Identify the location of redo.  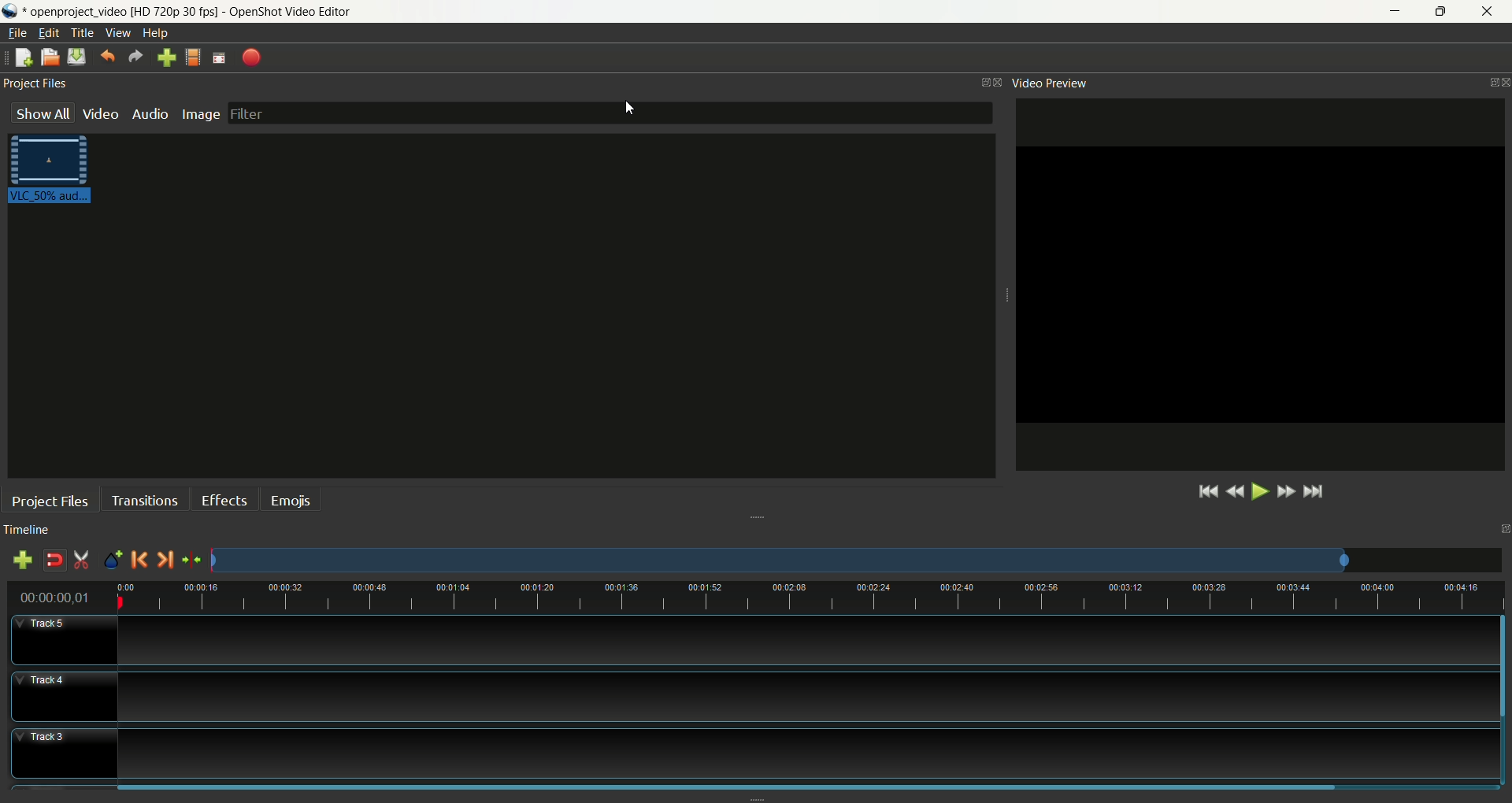
(135, 58).